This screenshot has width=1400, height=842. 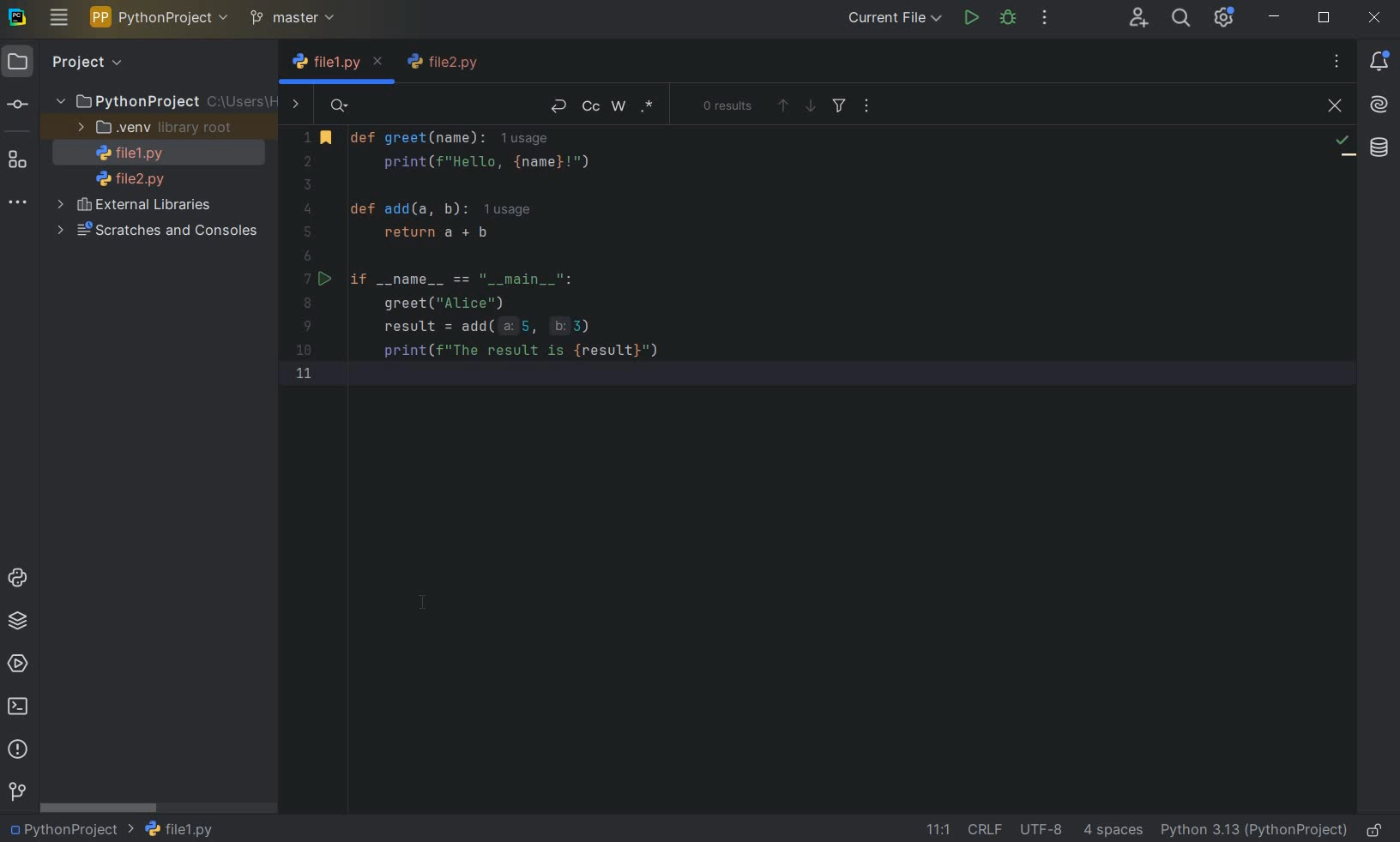 What do you see at coordinates (1331, 106) in the screenshot?
I see `CLOSE` at bounding box center [1331, 106].